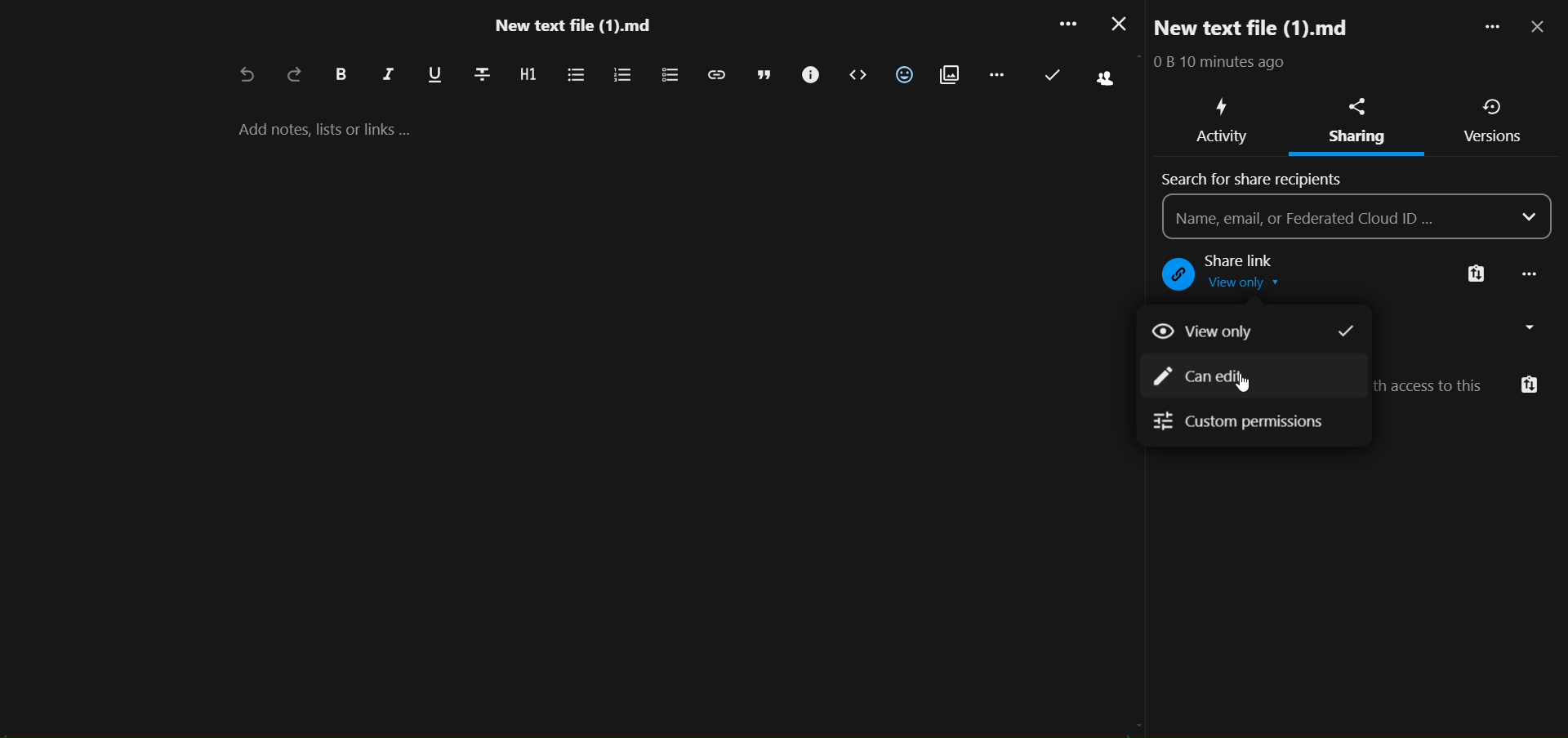 The image size is (1568, 738). Describe the element at coordinates (1354, 138) in the screenshot. I see `sharing` at that location.